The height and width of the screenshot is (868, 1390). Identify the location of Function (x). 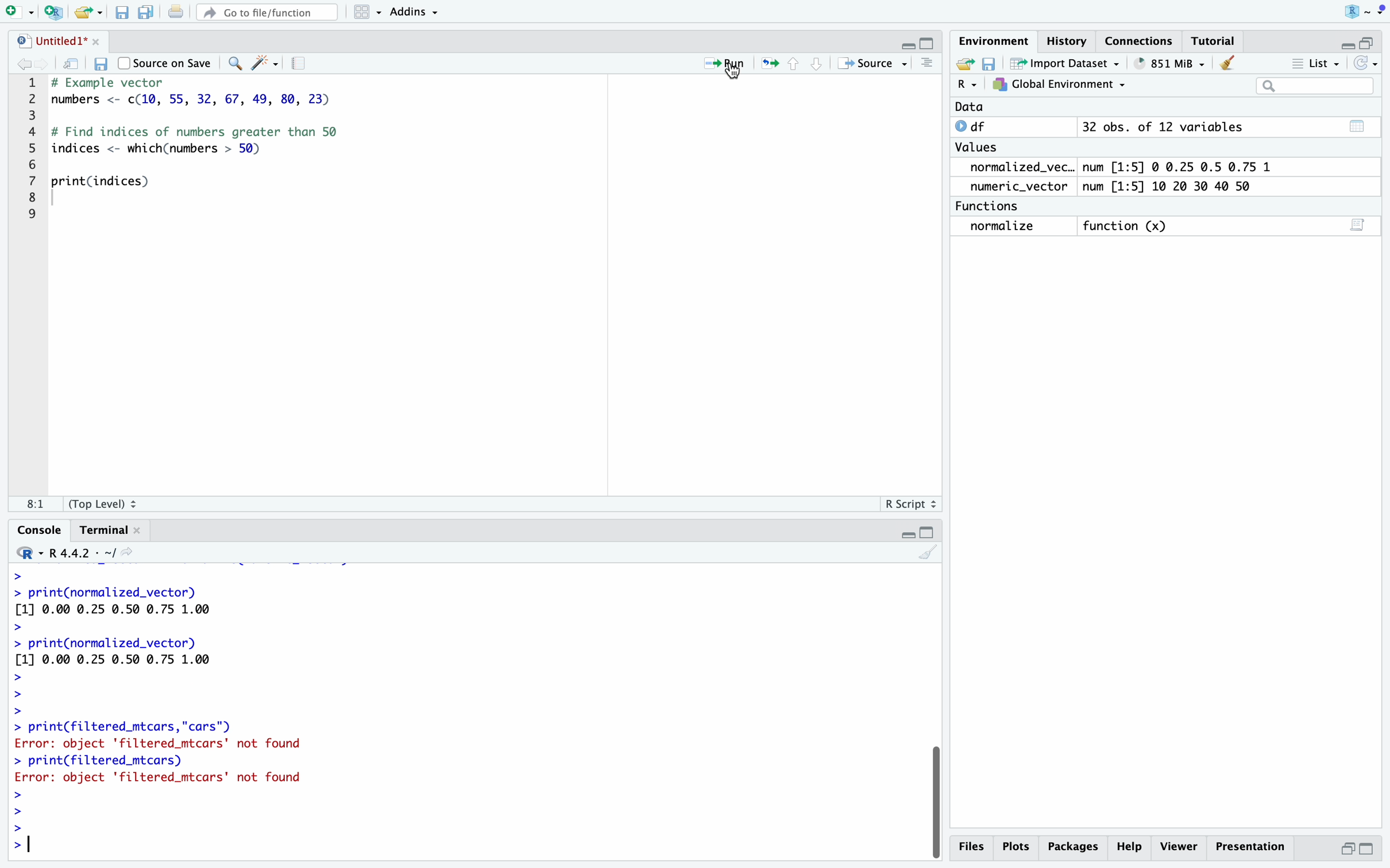
(1126, 226).